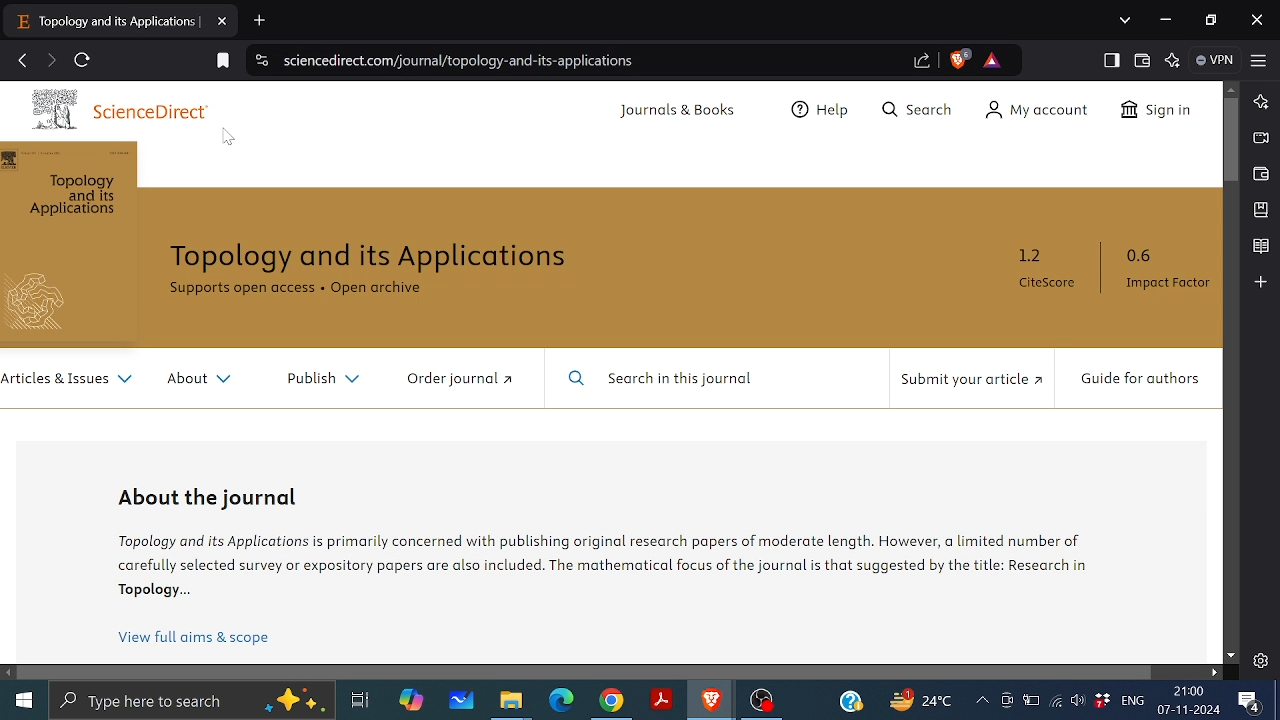  What do you see at coordinates (1260, 210) in the screenshot?
I see `Bookmarks` at bounding box center [1260, 210].